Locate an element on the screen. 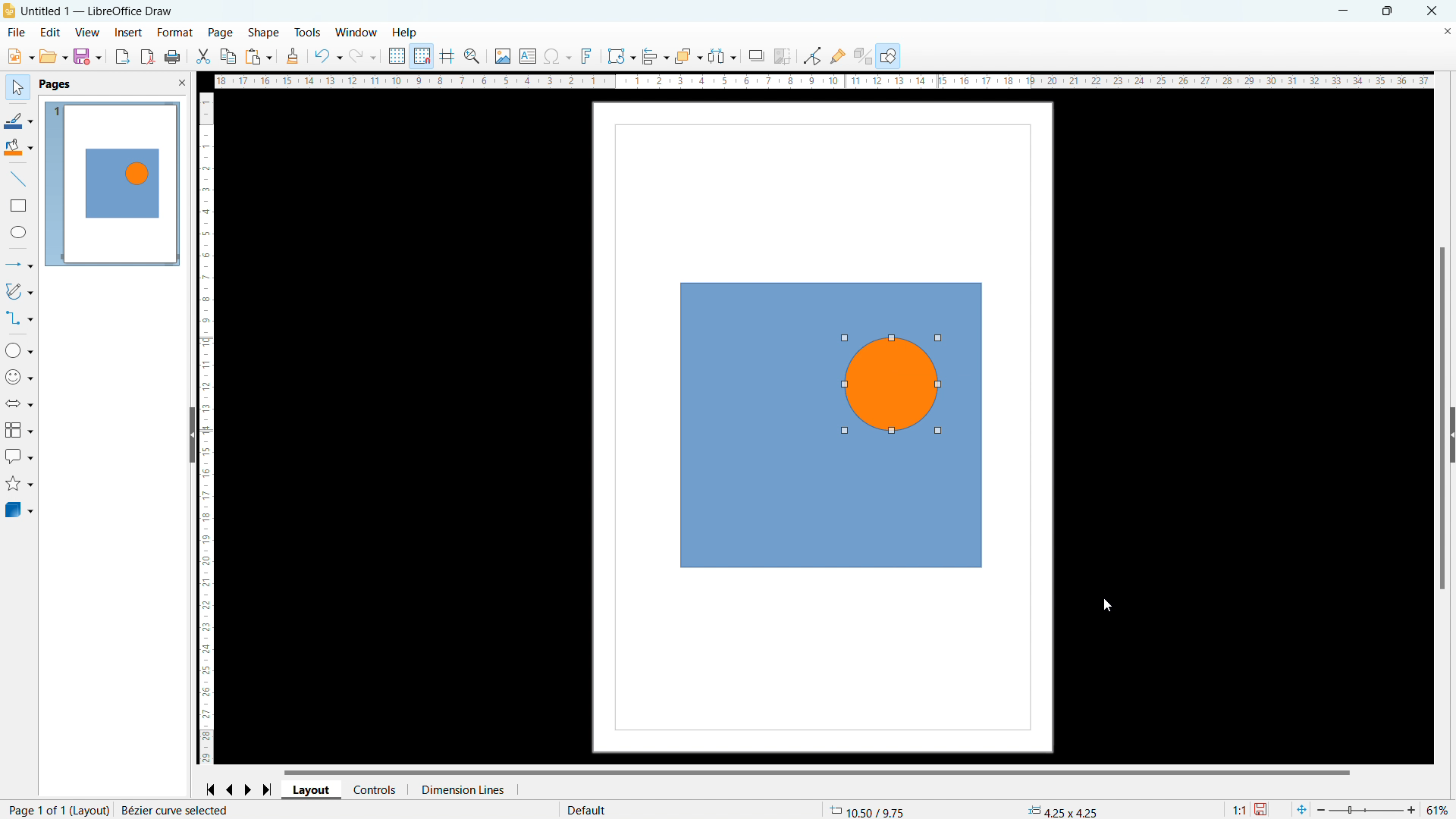  show draw functions is located at coordinates (890, 55).